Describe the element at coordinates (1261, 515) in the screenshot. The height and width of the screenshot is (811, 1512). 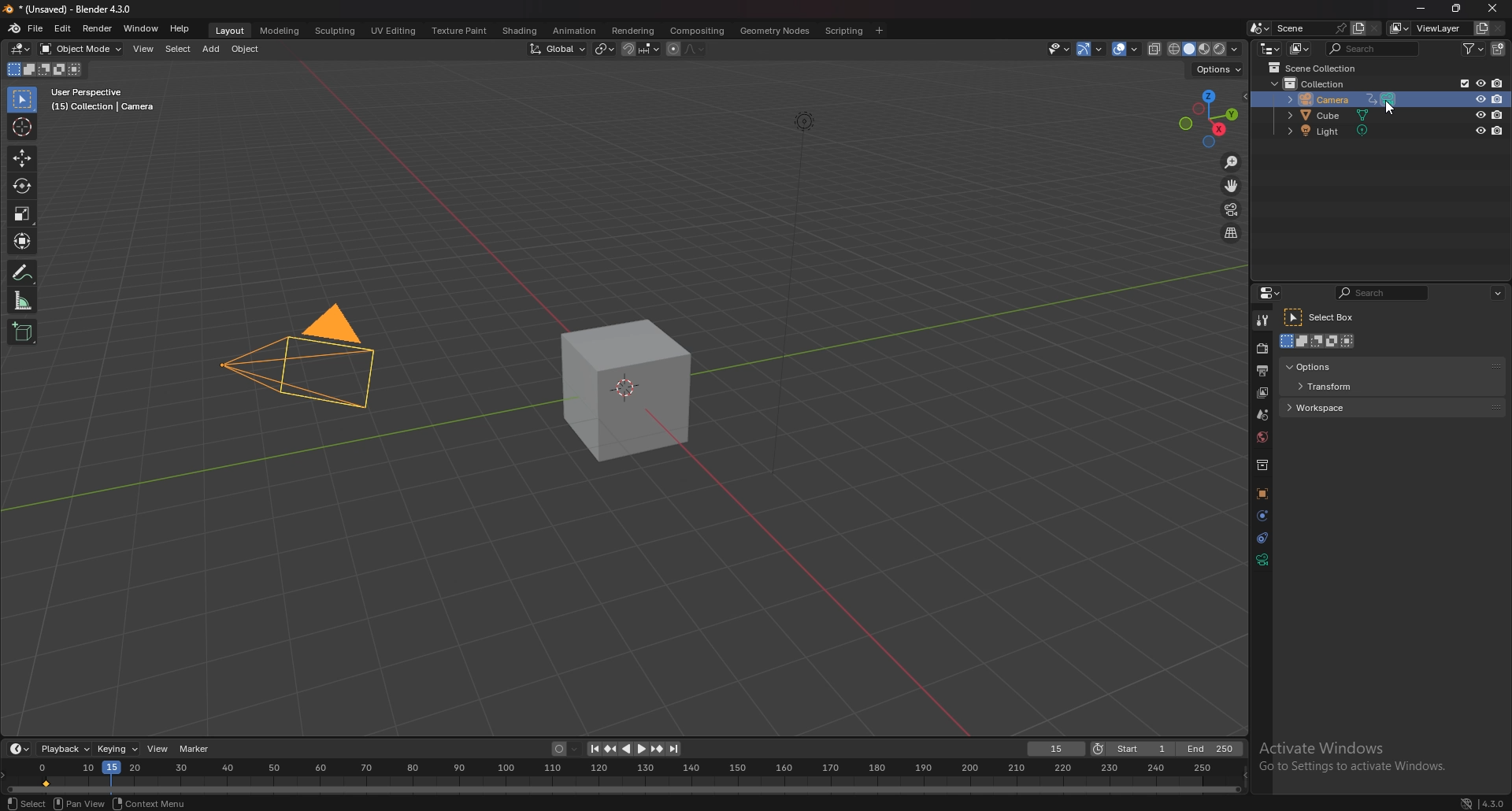
I see `physics` at that location.